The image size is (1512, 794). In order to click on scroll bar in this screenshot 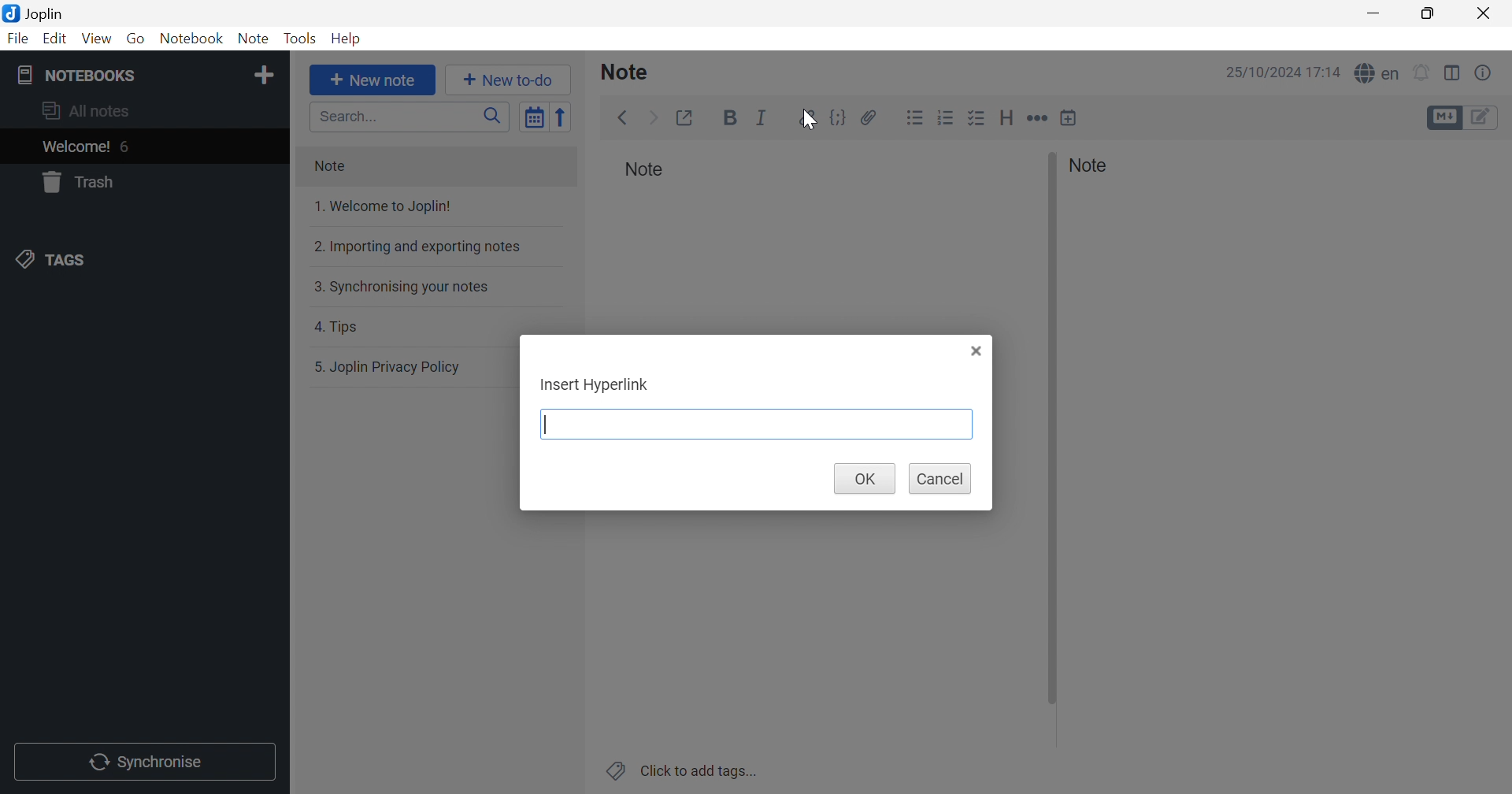, I will do `click(1052, 429)`.